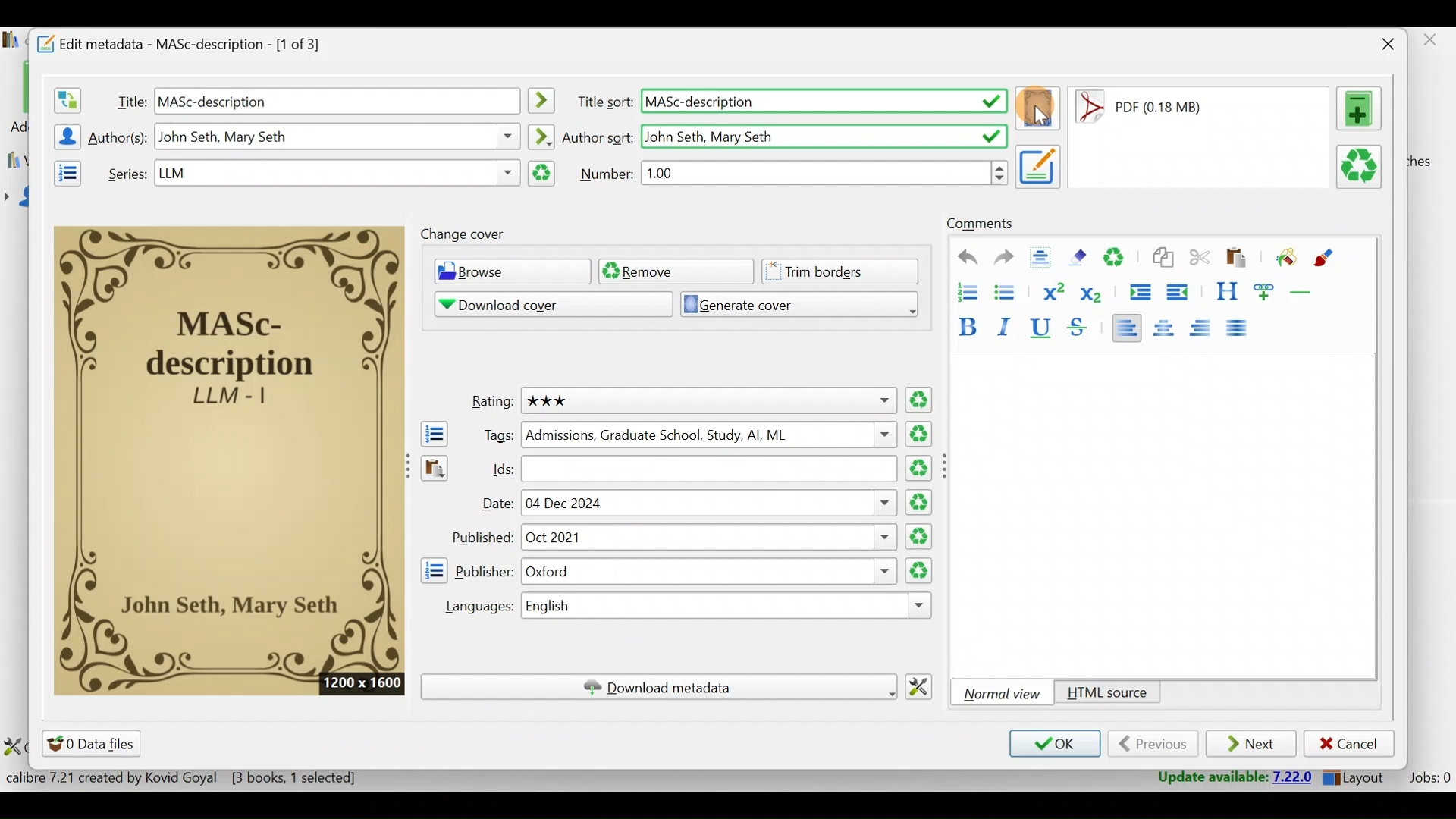 The width and height of the screenshot is (1456, 819). I want to click on Download metadata, so click(658, 687).